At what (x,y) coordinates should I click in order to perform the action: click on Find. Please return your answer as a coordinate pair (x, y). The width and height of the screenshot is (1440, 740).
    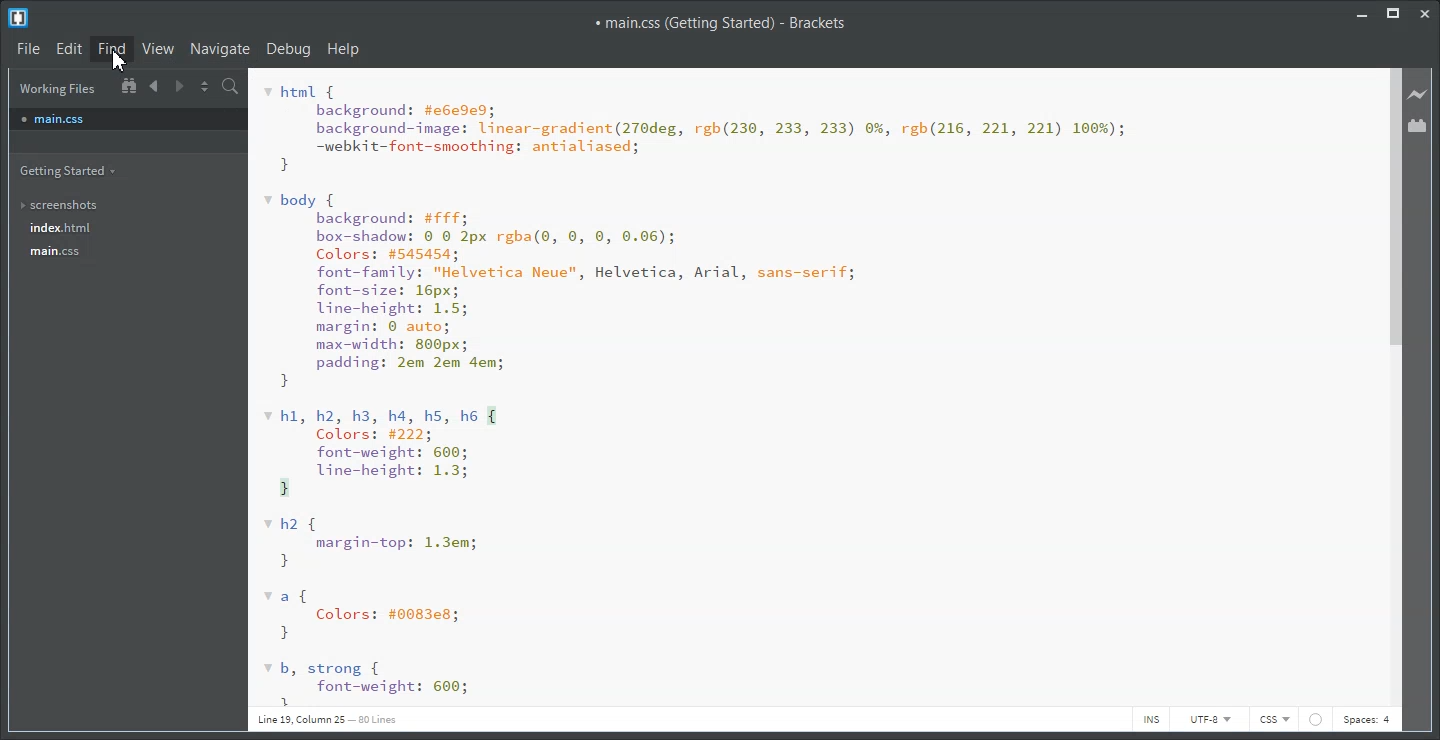
    Looking at the image, I should click on (111, 49).